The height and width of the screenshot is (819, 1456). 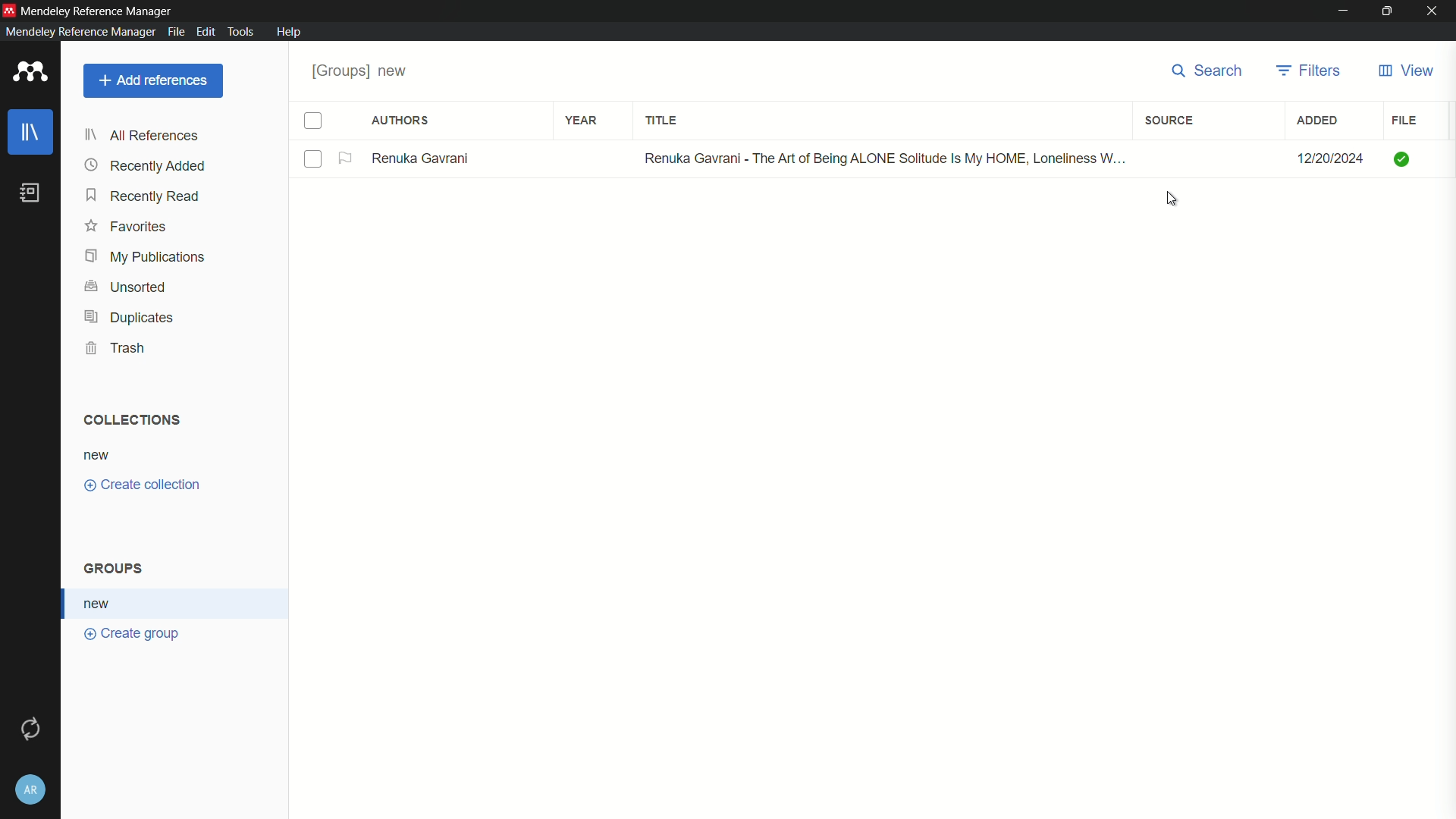 What do you see at coordinates (101, 604) in the screenshot?
I see `new` at bounding box center [101, 604].